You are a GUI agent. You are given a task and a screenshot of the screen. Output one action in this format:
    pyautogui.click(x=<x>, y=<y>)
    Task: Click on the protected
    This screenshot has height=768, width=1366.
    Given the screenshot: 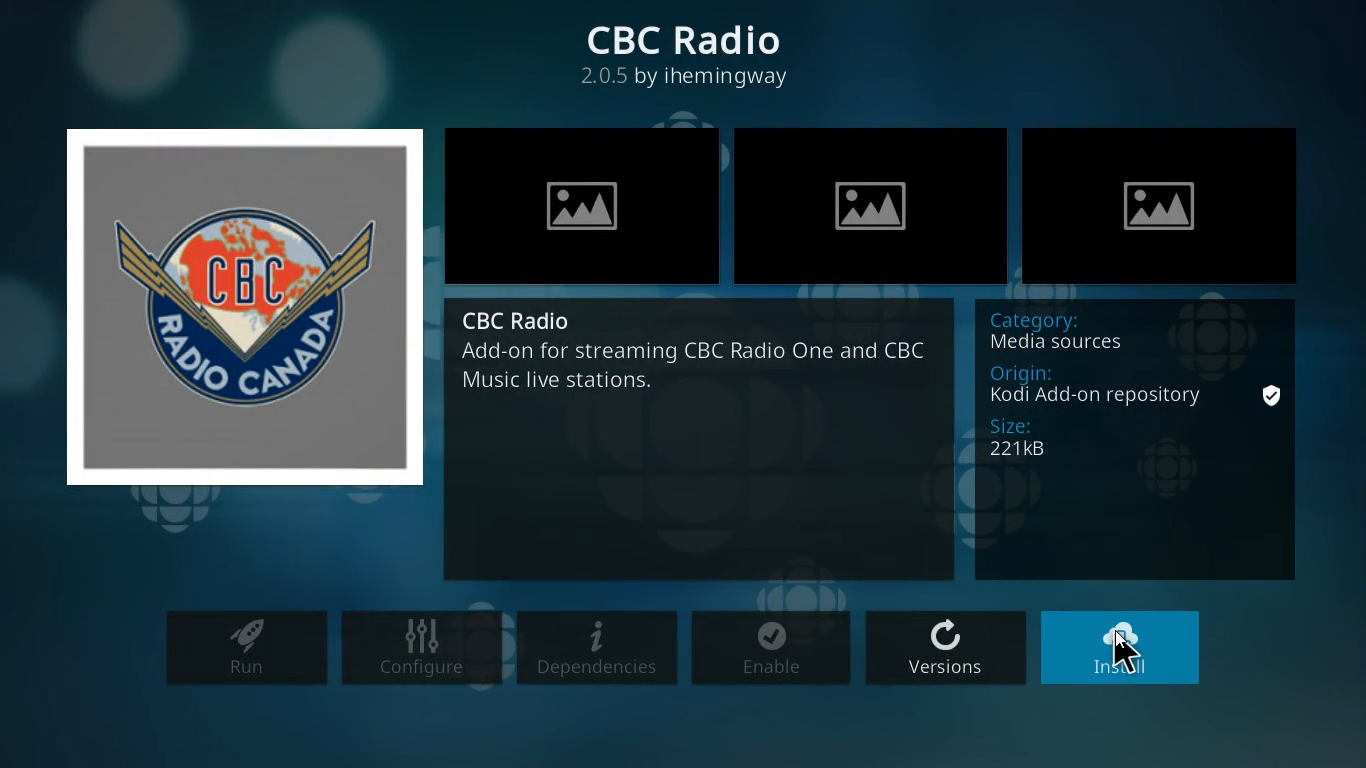 What is the action you would take?
    pyautogui.click(x=1276, y=394)
    